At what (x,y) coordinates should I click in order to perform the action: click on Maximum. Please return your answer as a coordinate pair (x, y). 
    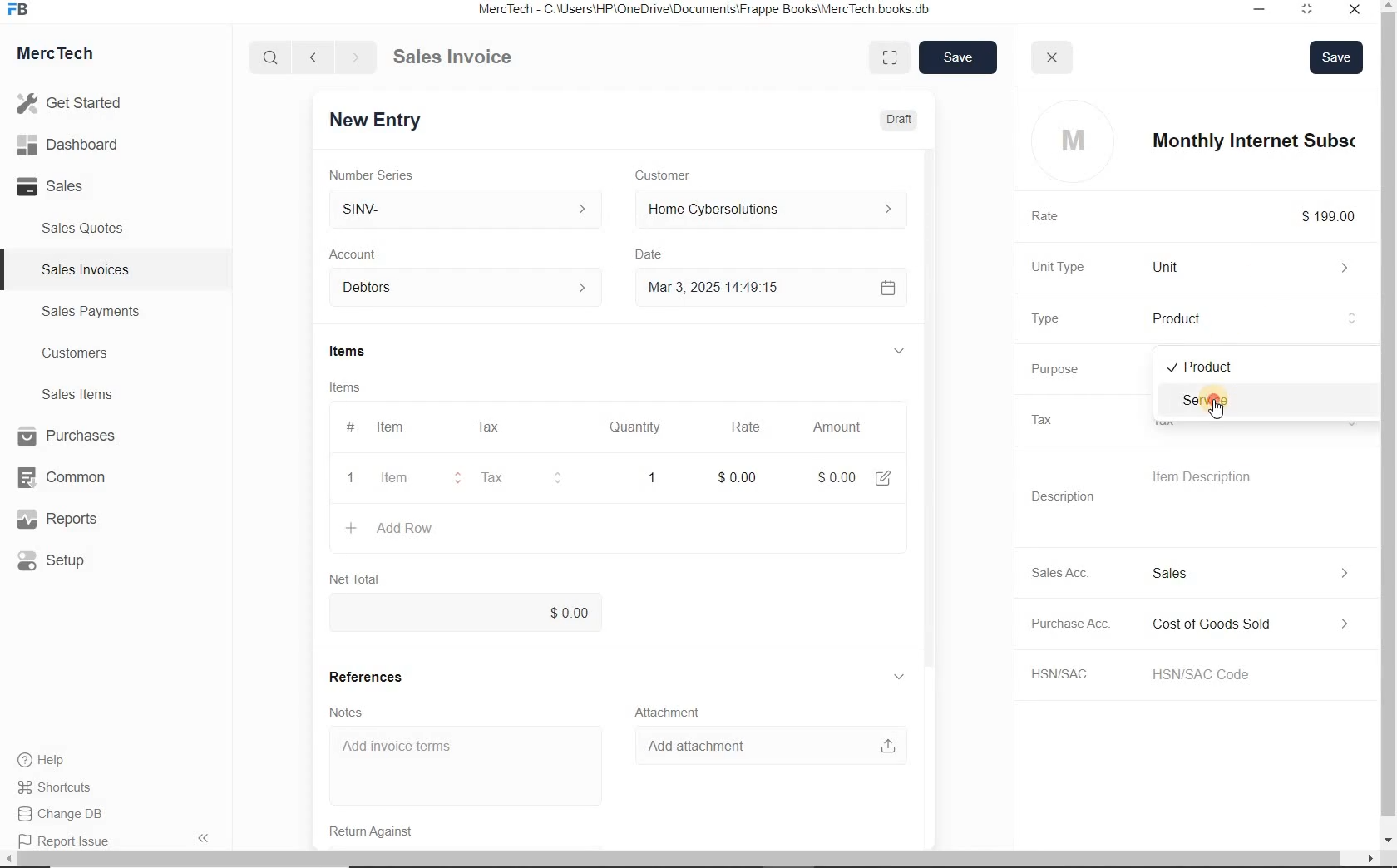
    Looking at the image, I should click on (1315, 12).